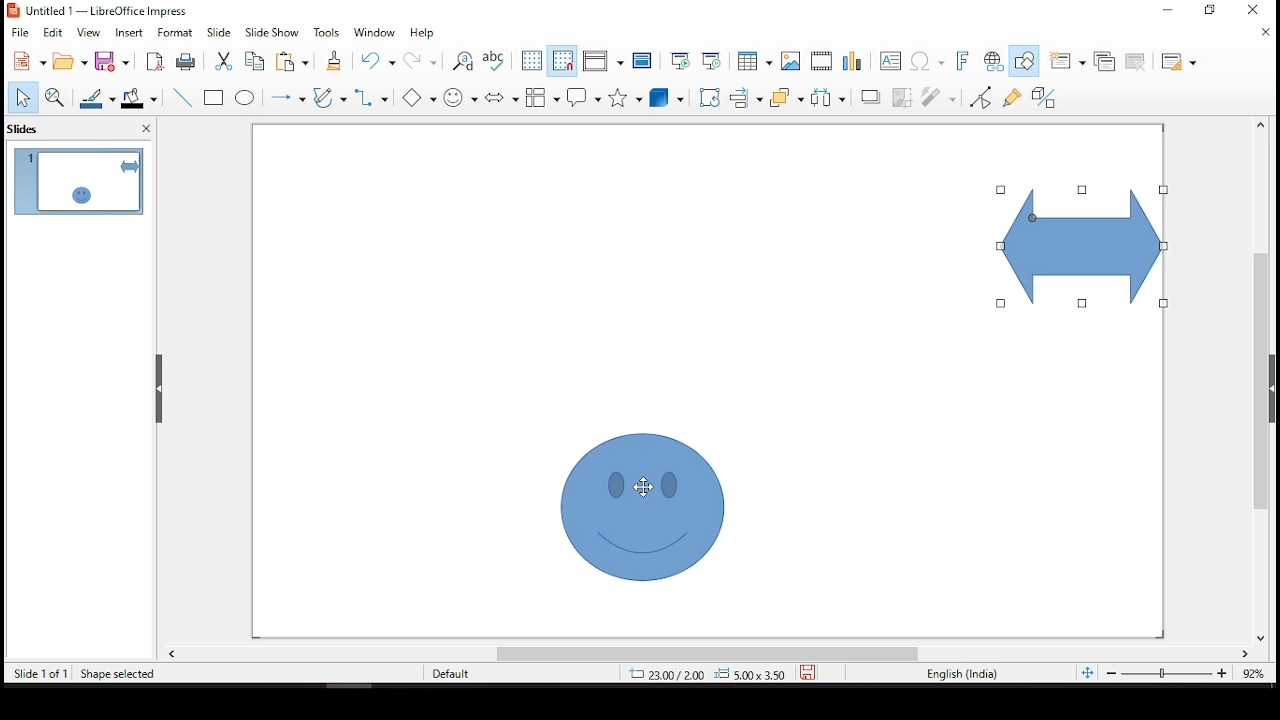  I want to click on display grid, so click(531, 62).